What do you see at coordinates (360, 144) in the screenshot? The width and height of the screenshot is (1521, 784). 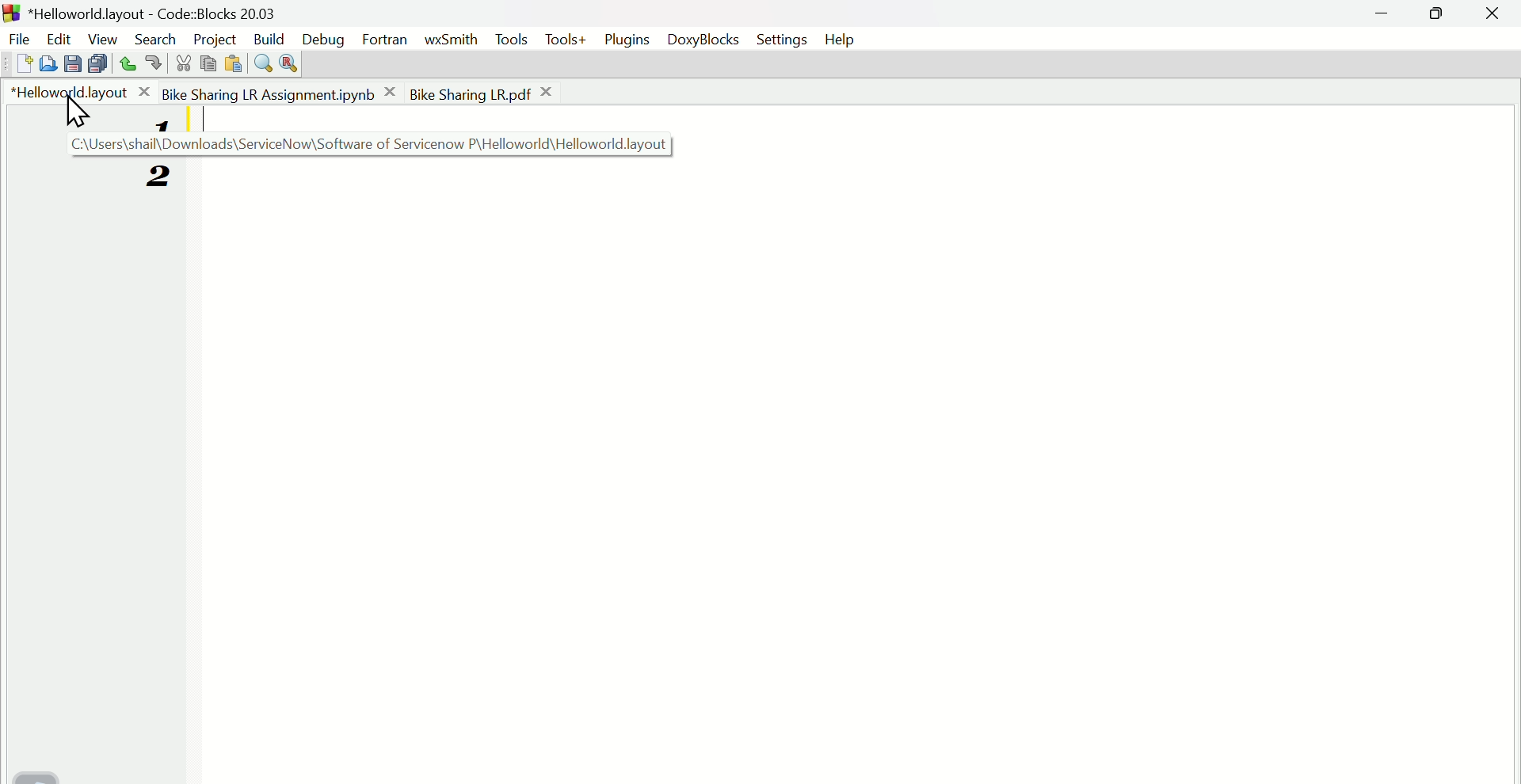 I see `C:\Users\shail\Downloads\ServiceNow\Software of Servicenow P\Helloworld\Helloworld.layout ` at bounding box center [360, 144].